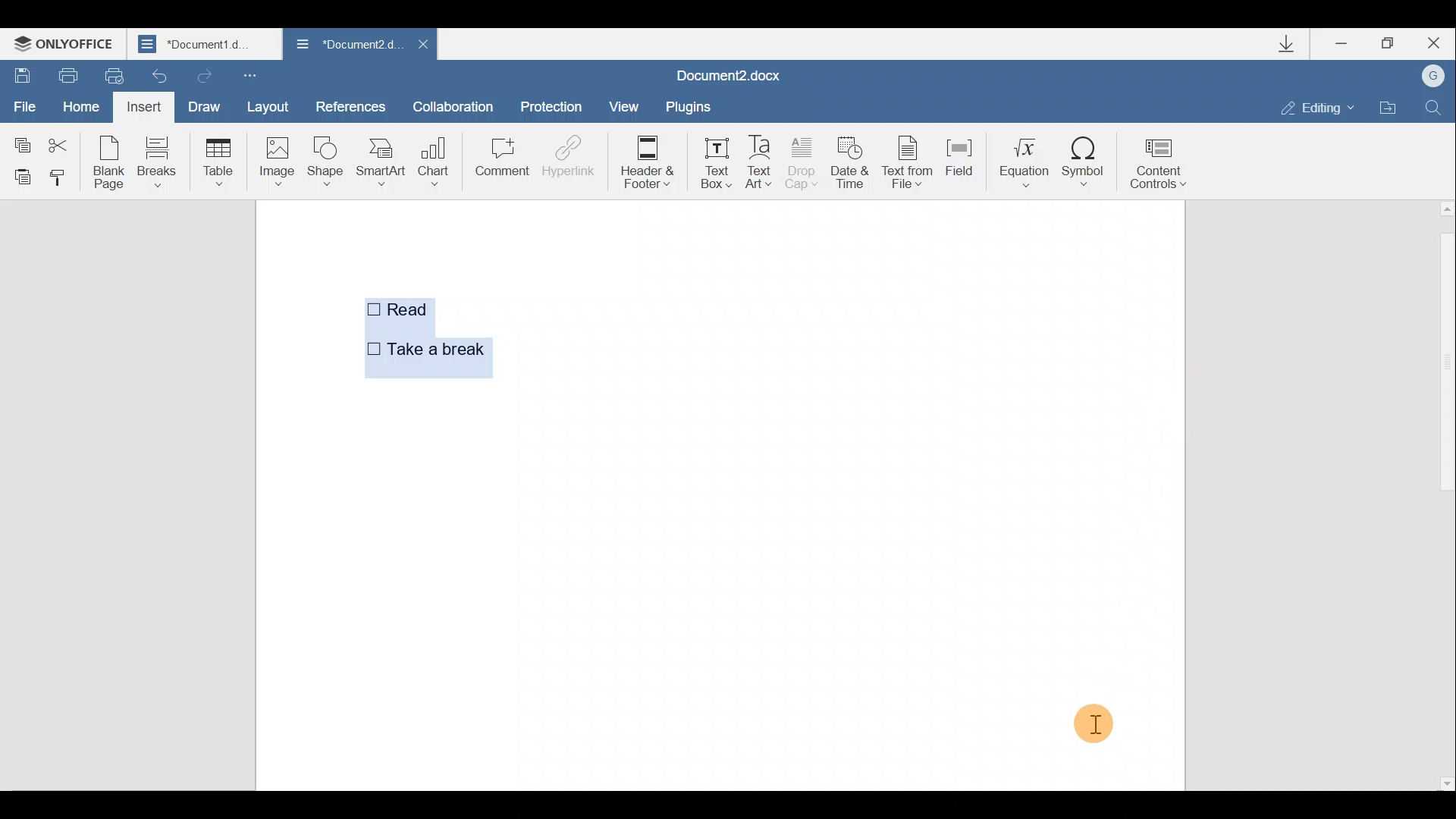 The width and height of the screenshot is (1456, 819). What do you see at coordinates (276, 161) in the screenshot?
I see `Image` at bounding box center [276, 161].